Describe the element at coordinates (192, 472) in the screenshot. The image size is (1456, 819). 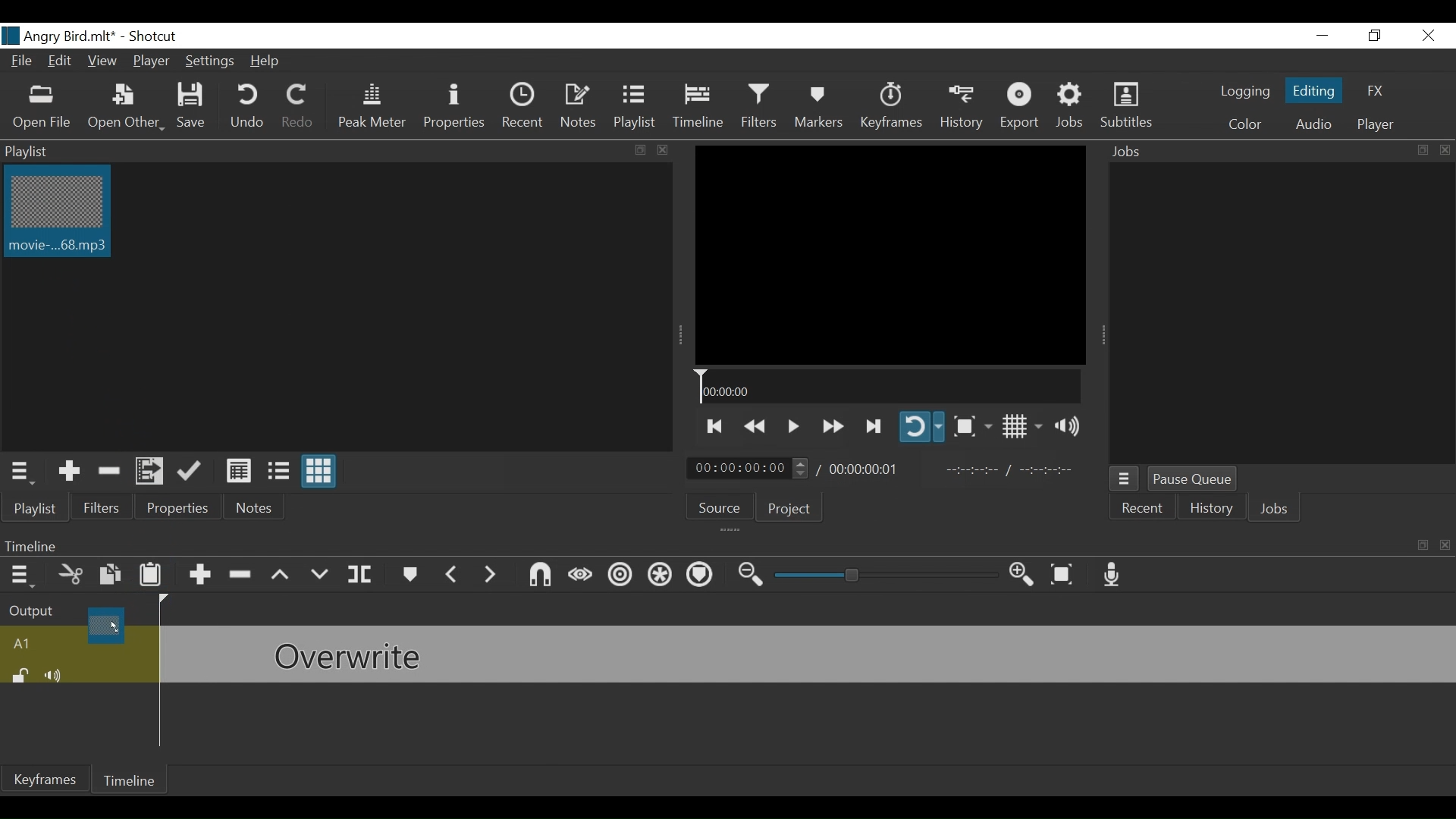
I see `Update` at that location.